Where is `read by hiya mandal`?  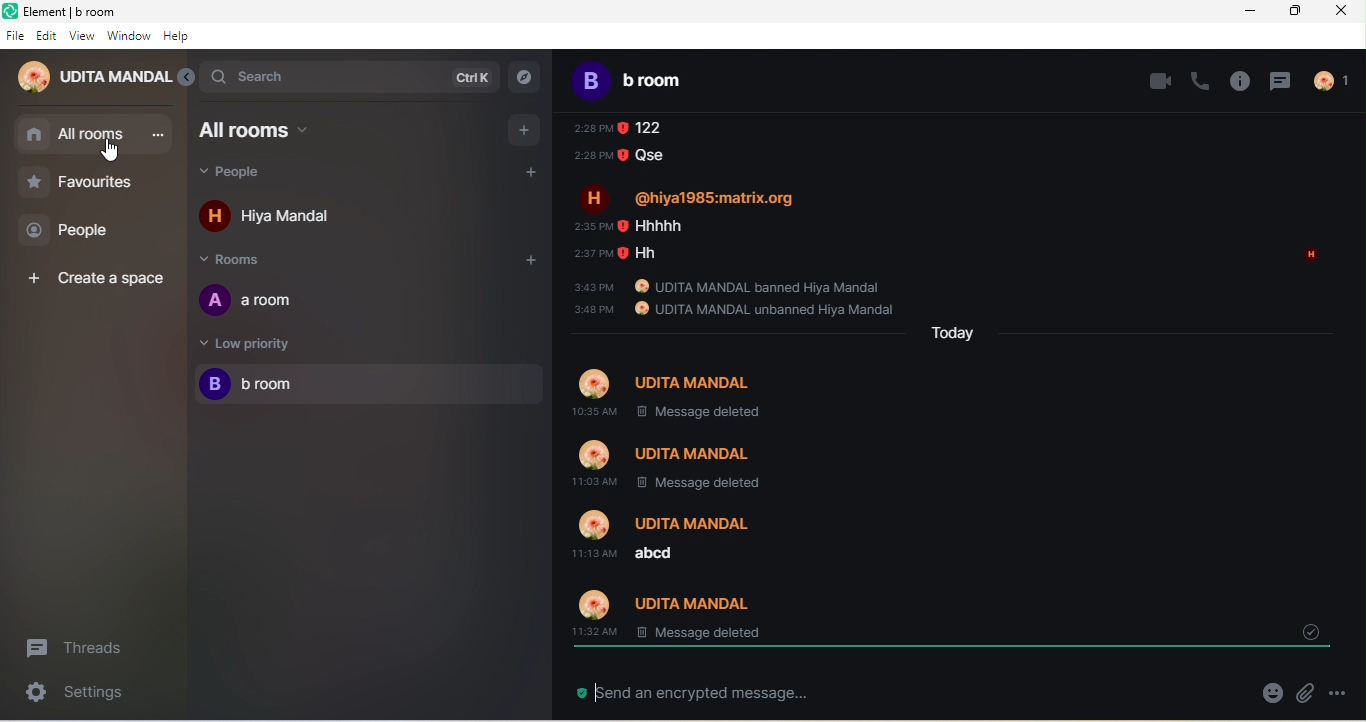 read by hiya mandal is located at coordinates (1308, 259).